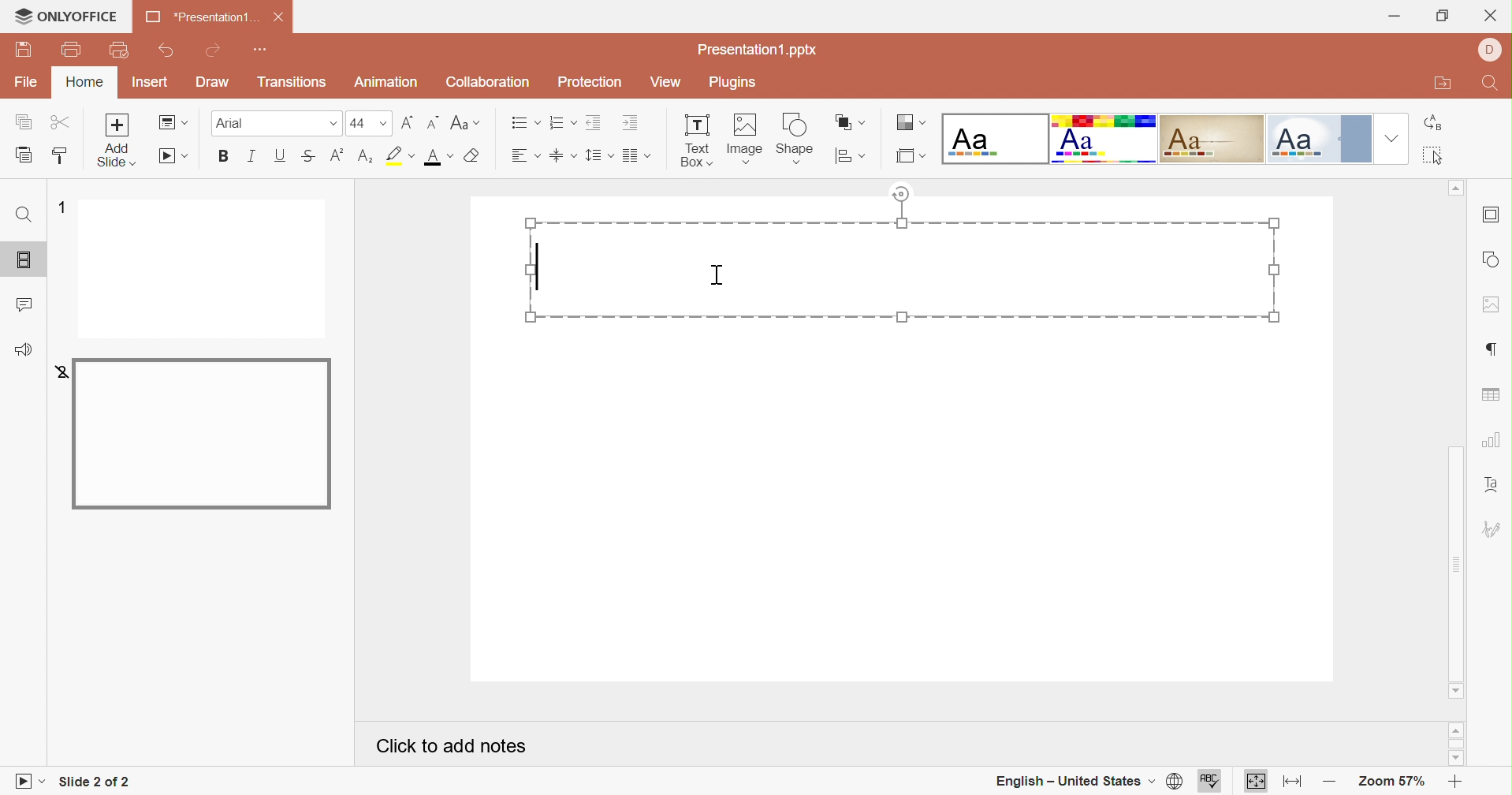 The height and width of the screenshot is (795, 1512). Describe the element at coordinates (23, 121) in the screenshot. I see `Copy` at that location.